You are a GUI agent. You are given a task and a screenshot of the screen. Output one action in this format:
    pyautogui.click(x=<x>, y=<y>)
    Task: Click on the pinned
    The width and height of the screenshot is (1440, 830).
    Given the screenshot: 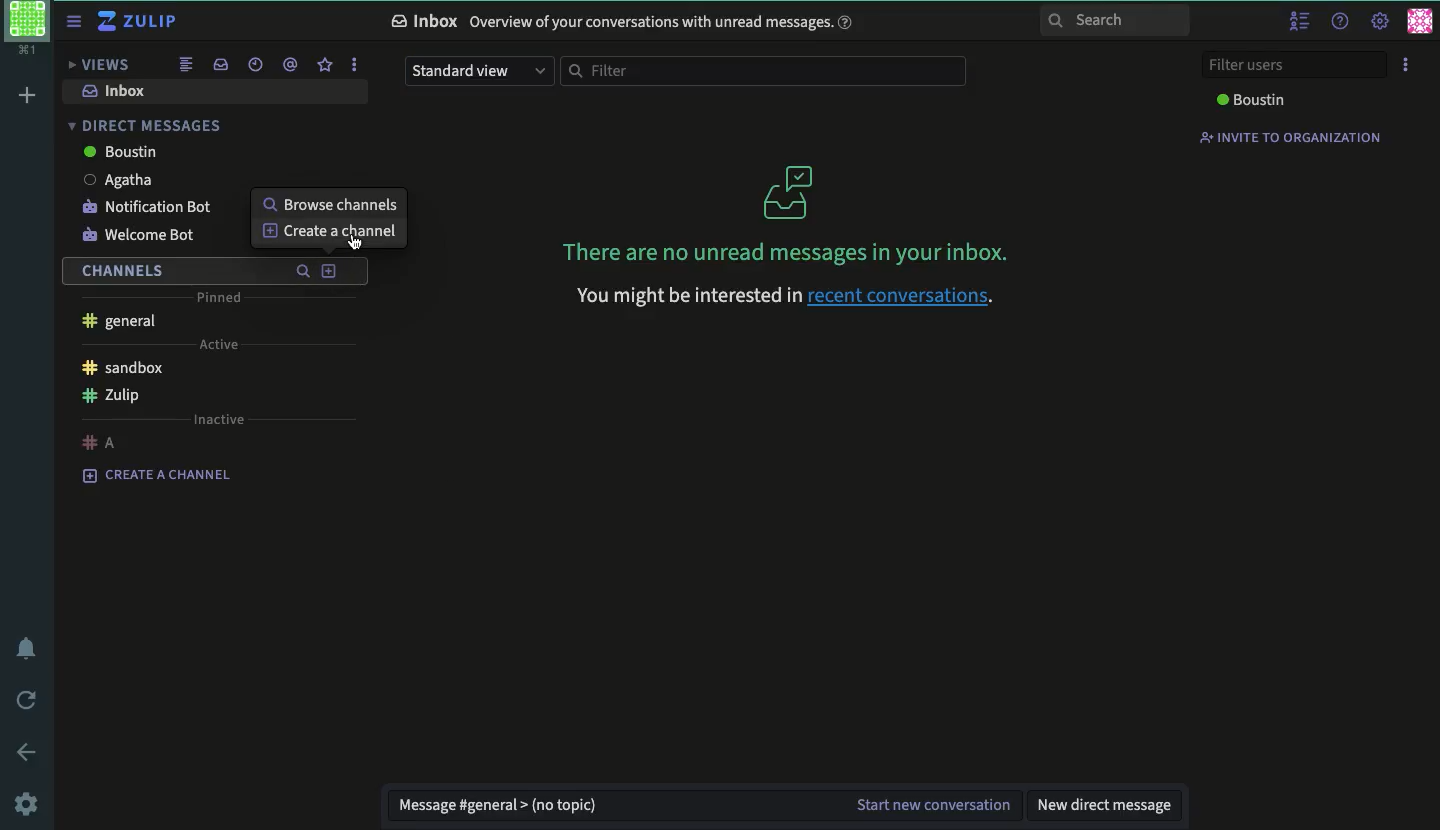 What is the action you would take?
    pyautogui.click(x=210, y=299)
    